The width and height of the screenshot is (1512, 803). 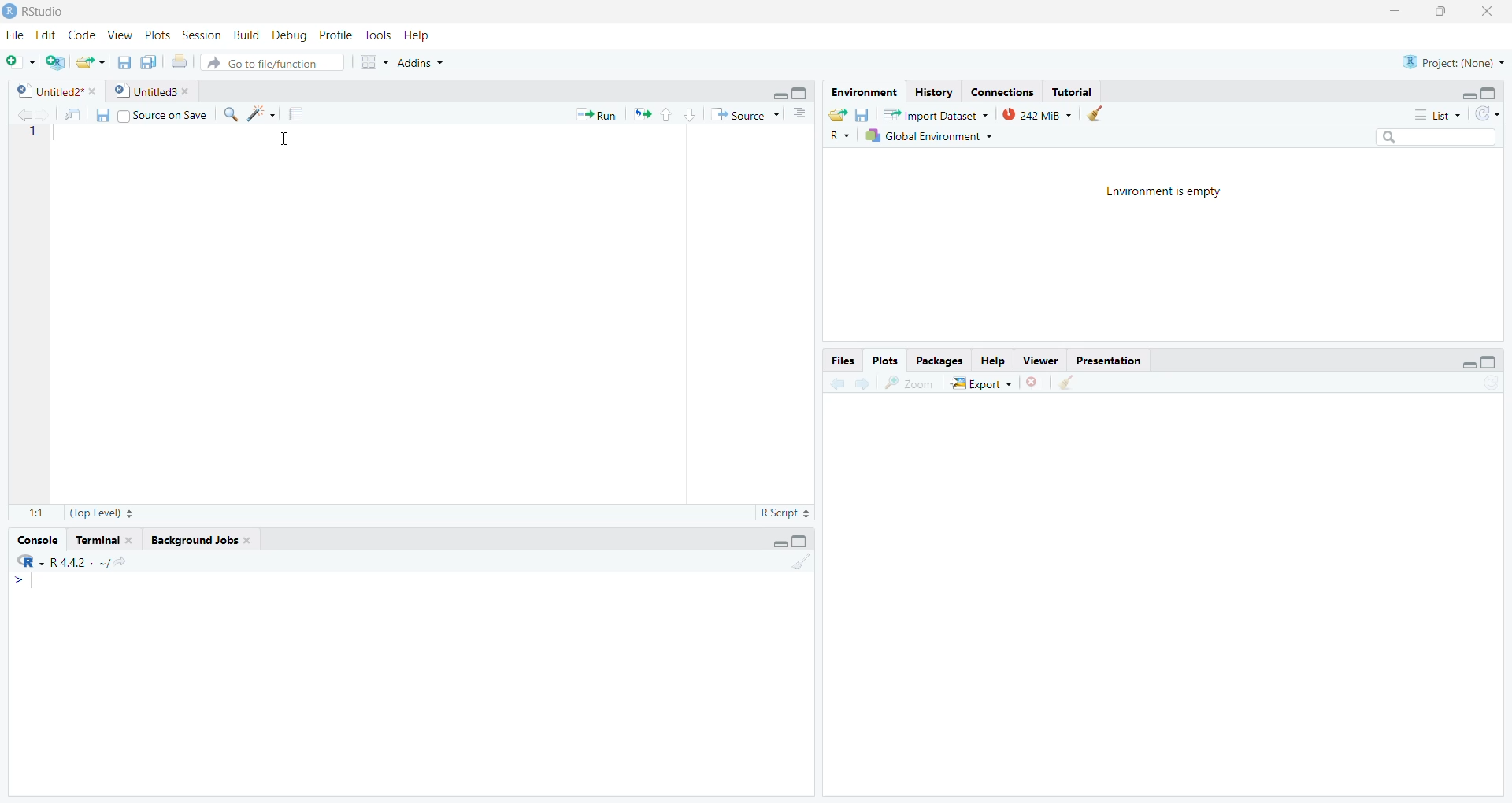 What do you see at coordinates (1000, 92) in the screenshot?
I see `Connections` at bounding box center [1000, 92].